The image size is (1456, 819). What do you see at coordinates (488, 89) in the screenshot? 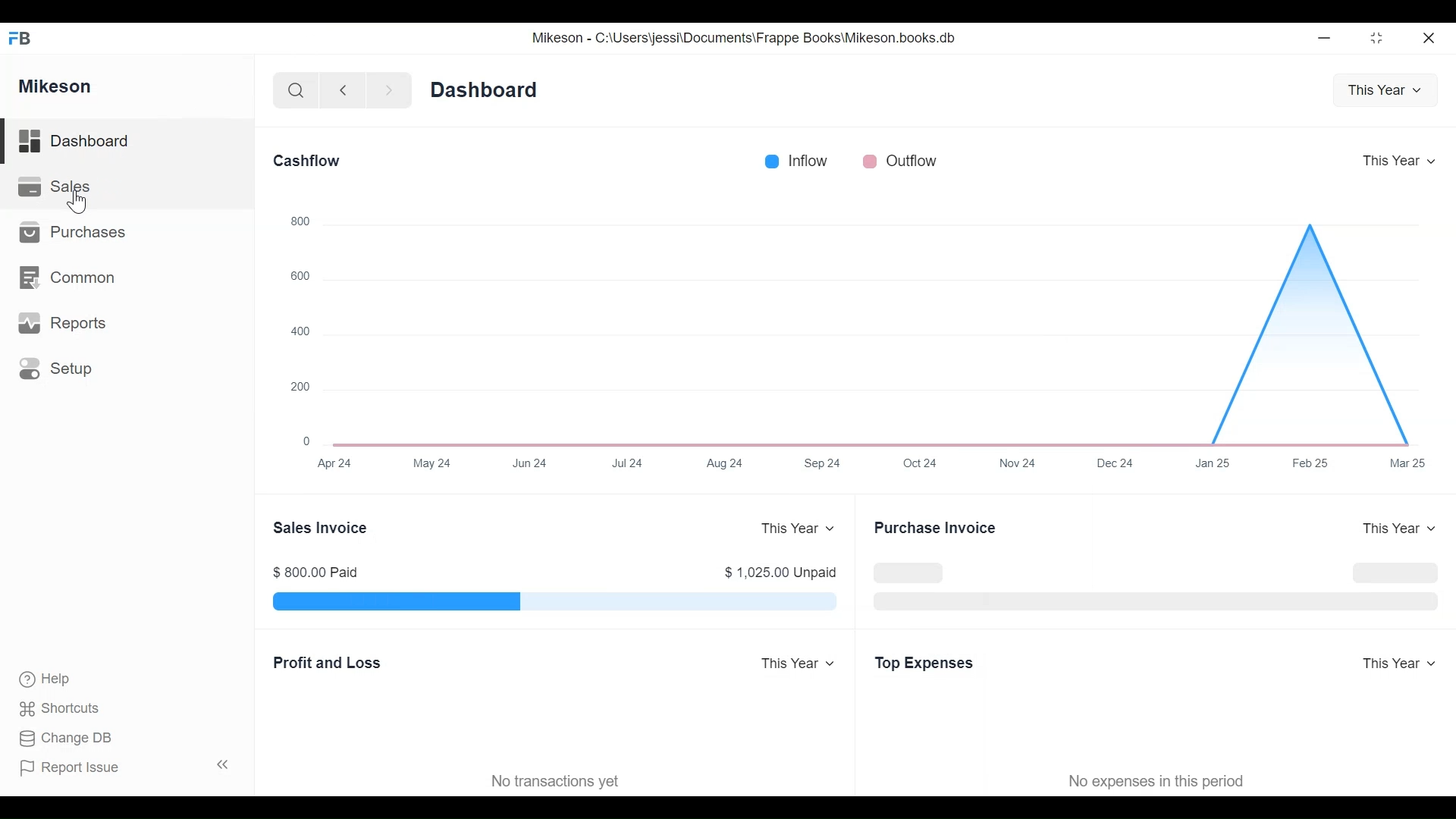
I see `Dashboard` at bounding box center [488, 89].